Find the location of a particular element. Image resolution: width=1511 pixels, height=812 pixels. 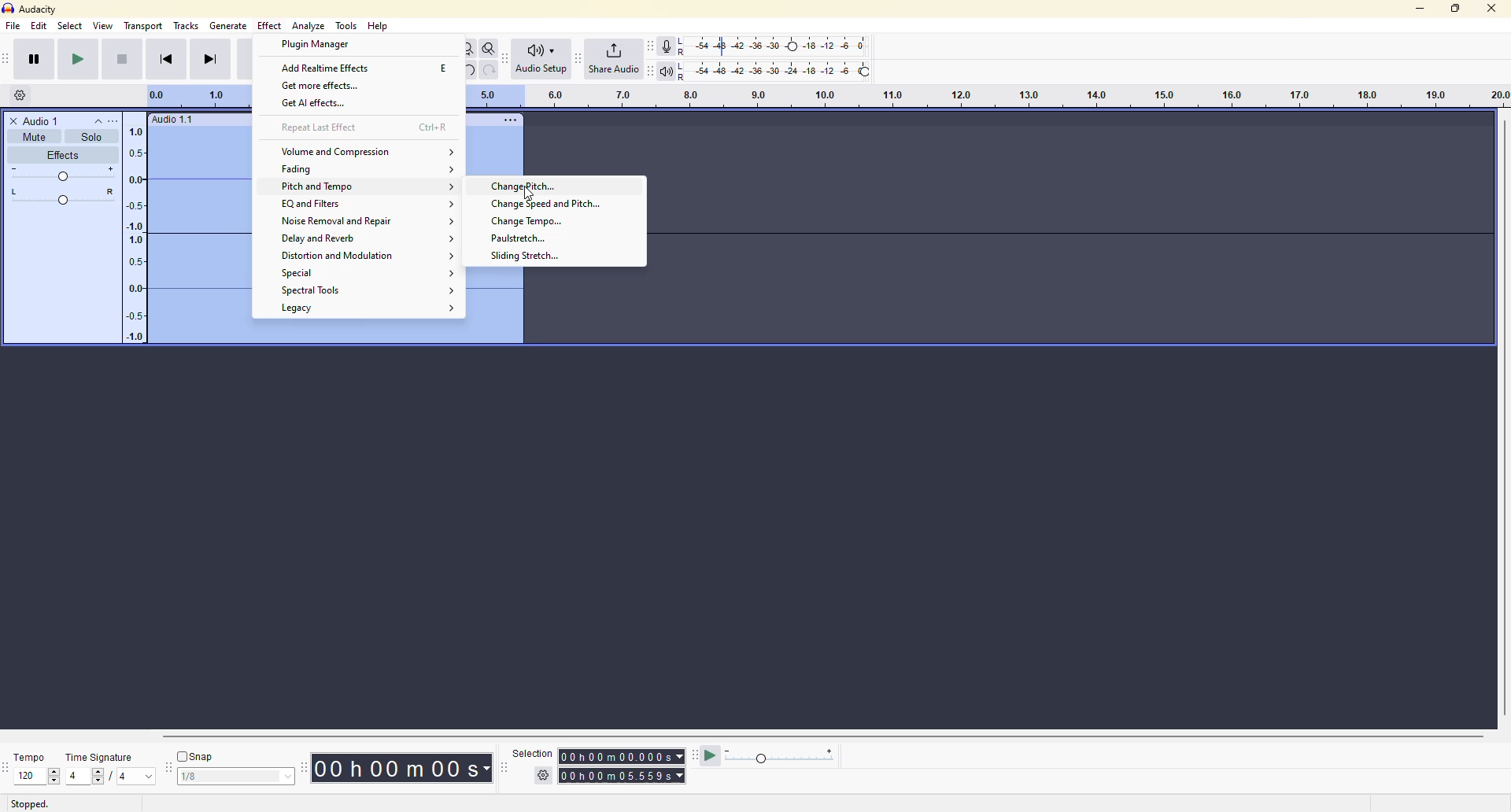

expand is located at coordinates (453, 205).